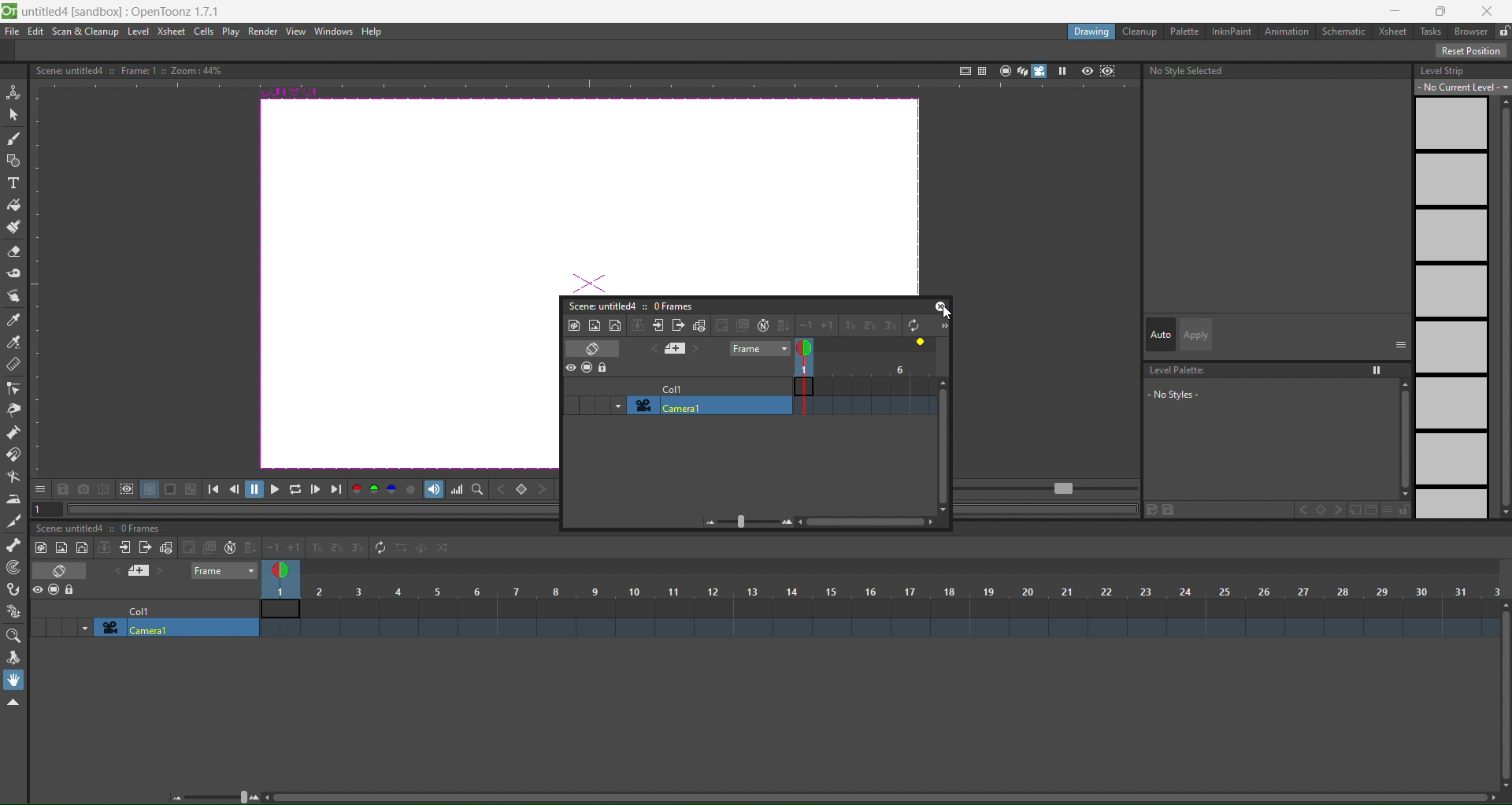  What do you see at coordinates (14, 253) in the screenshot?
I see `eraser tool` at bounding box center [14, 253].